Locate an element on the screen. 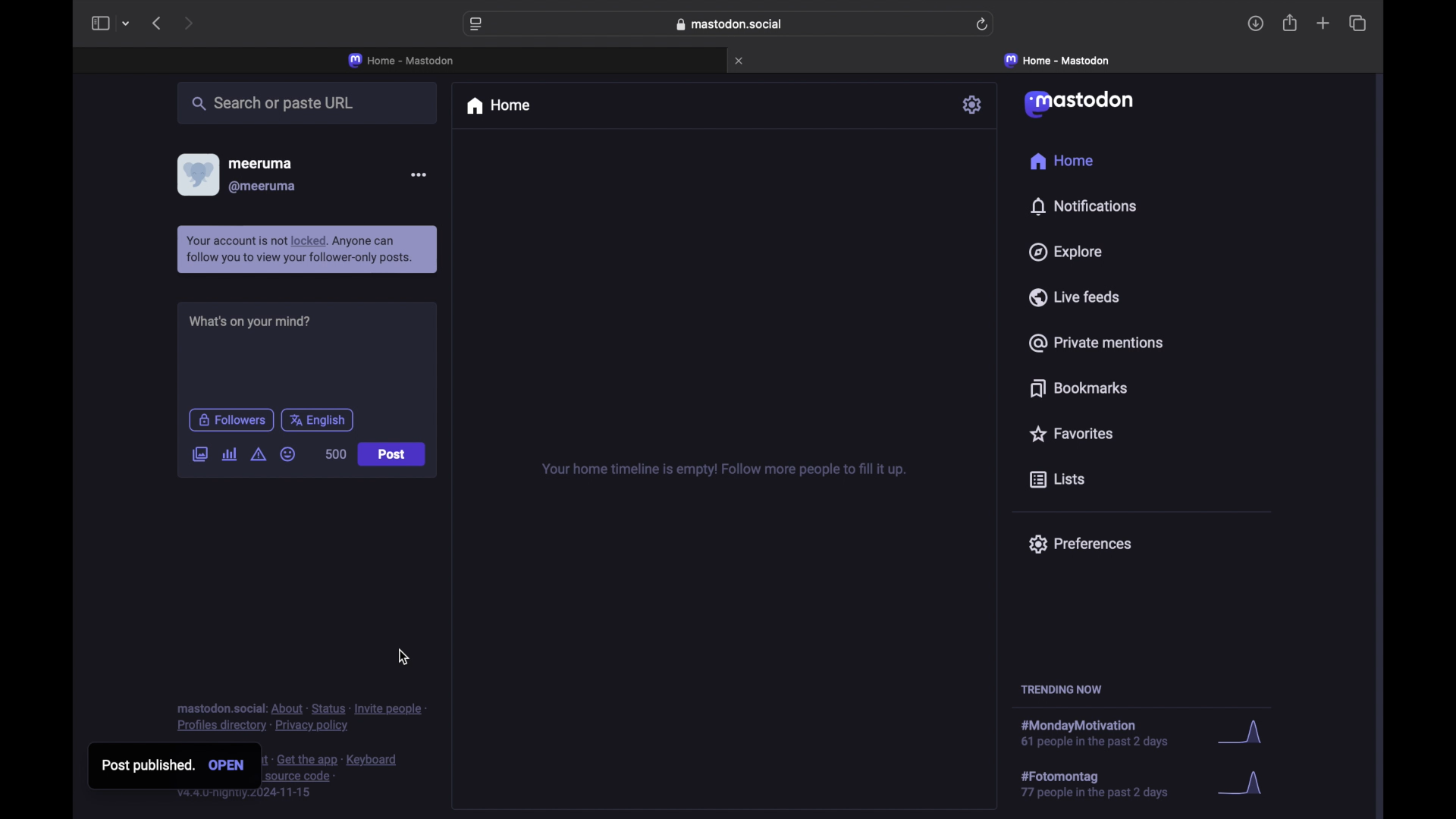 This screenshot has width=1456, height=819. preferences is located at coordinates (1081, 544).